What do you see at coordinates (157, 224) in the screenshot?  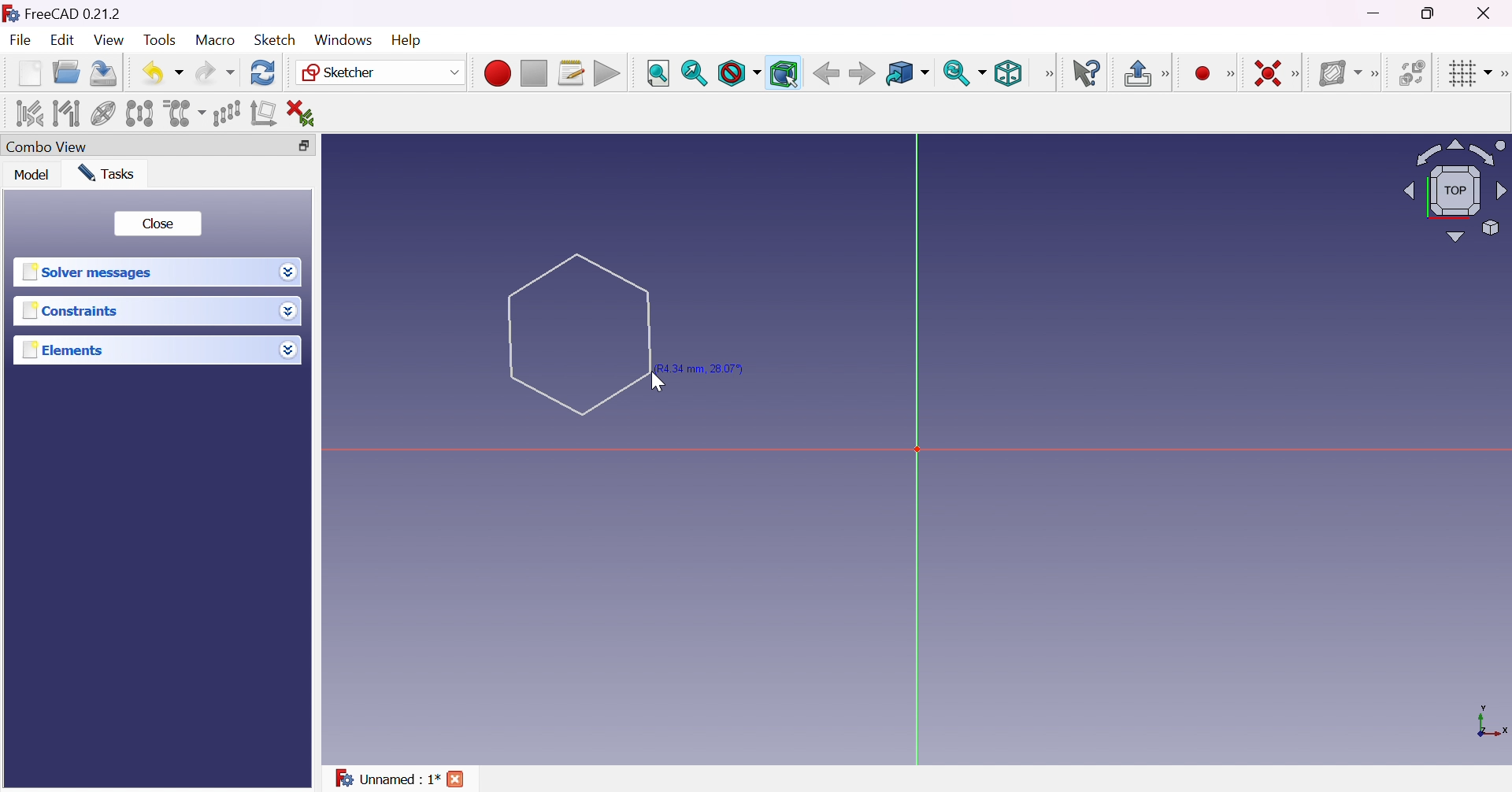 I see `Close` at bounding box center [157, 224].